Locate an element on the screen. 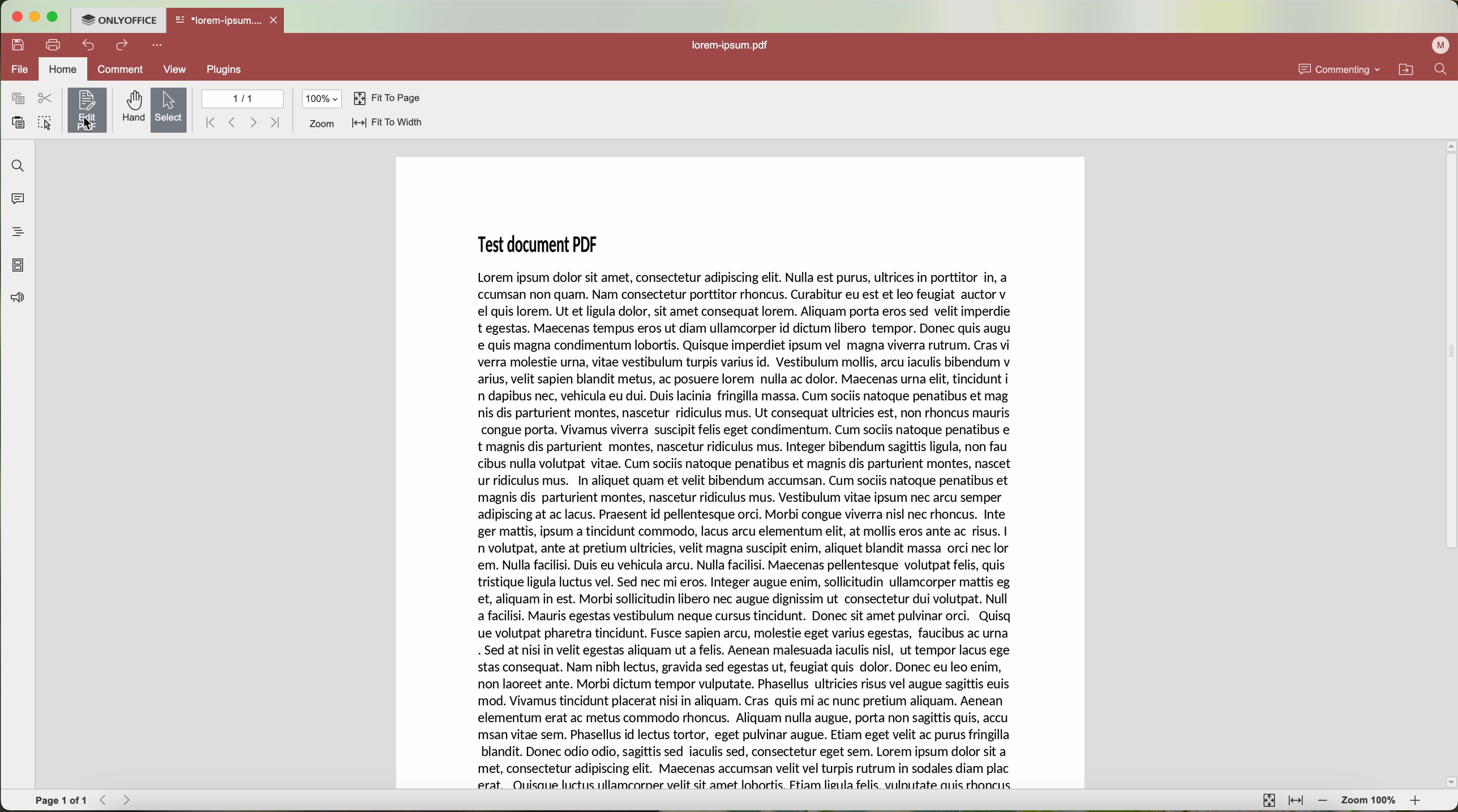 This screenshot has height=812, width=1458. user profile is located at coordinates (1440, 47).